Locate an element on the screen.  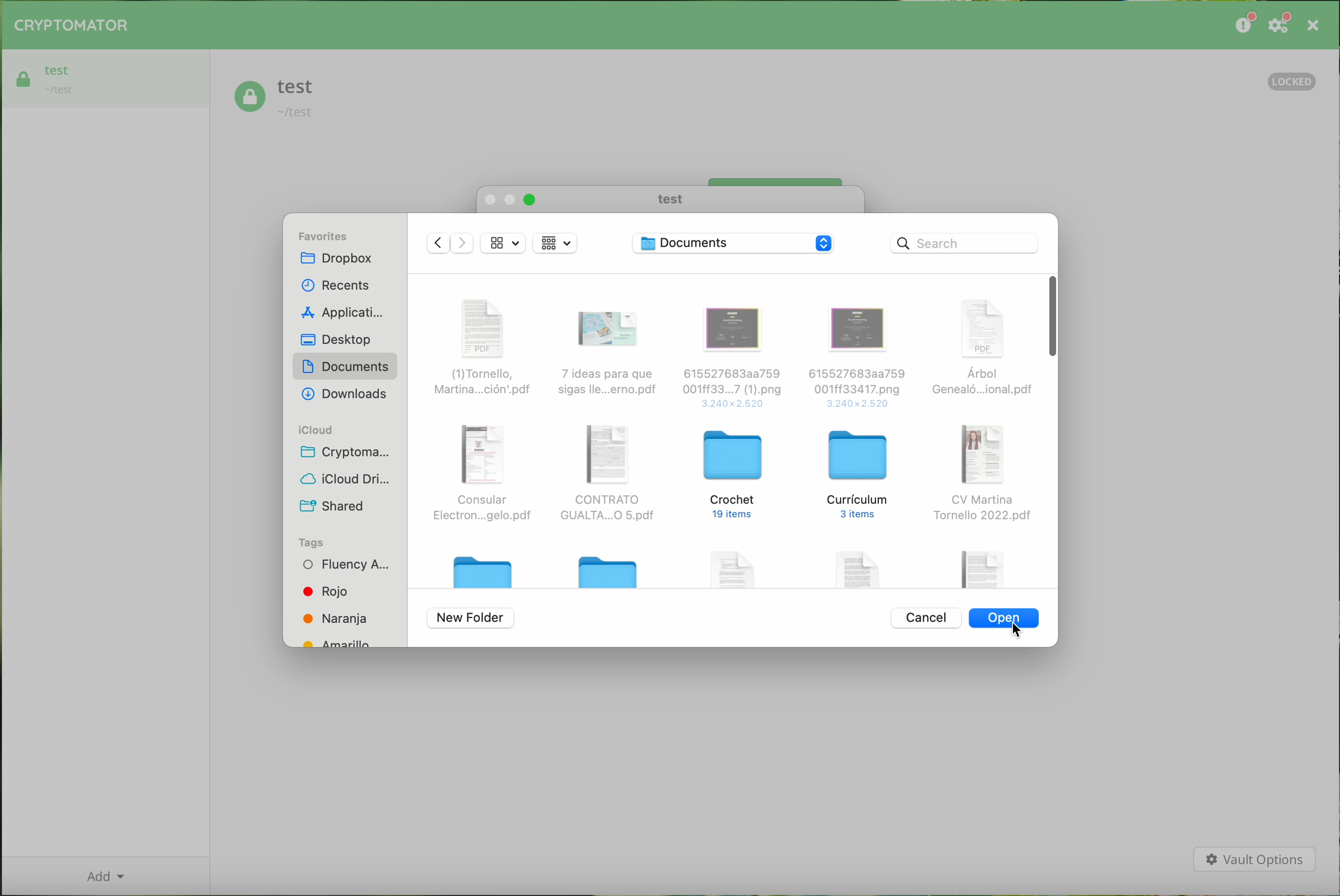
add is located at coordinates (105, 875).